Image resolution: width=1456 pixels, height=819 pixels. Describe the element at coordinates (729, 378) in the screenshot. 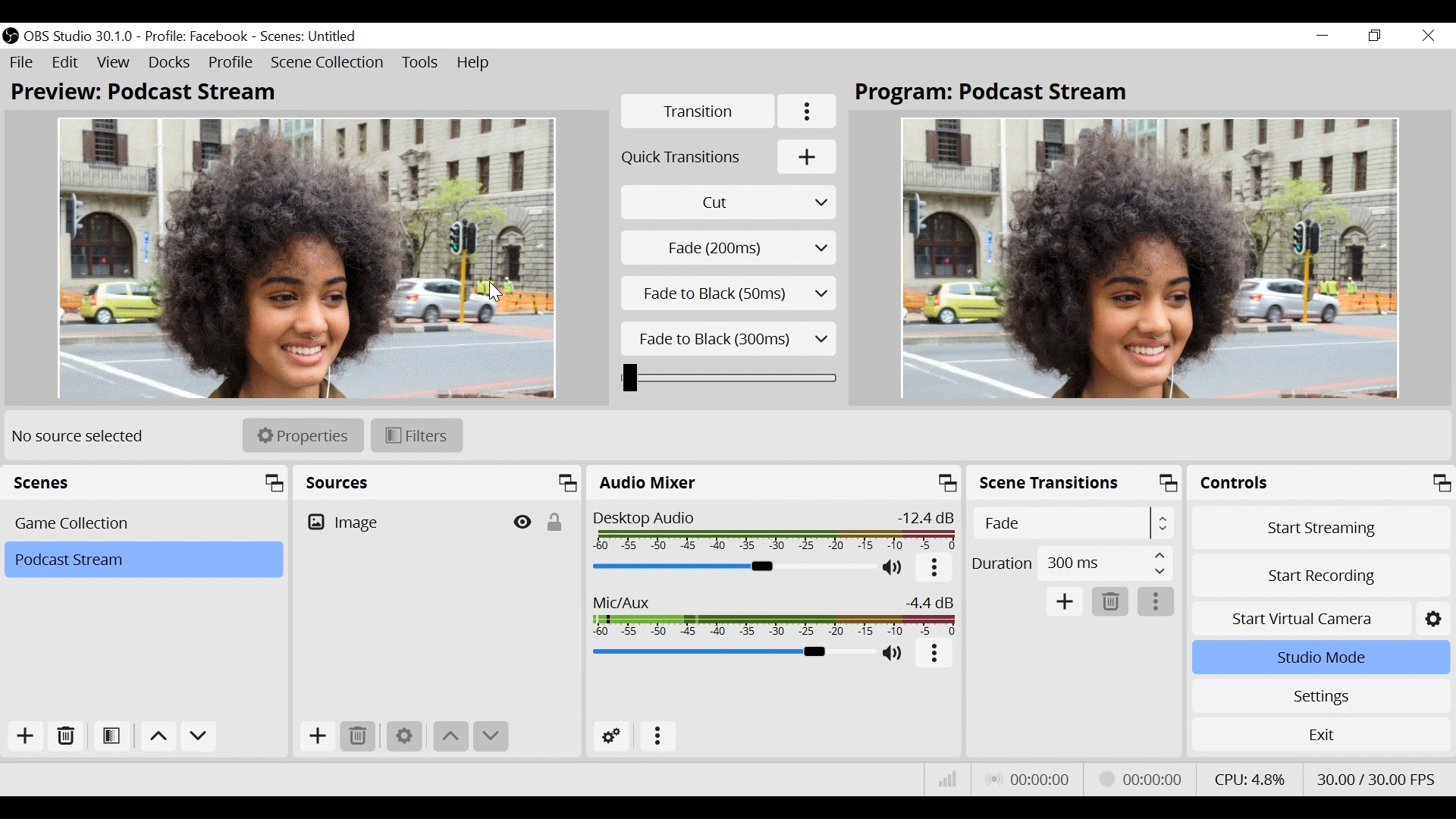

I see `Duration Slider` at that location.